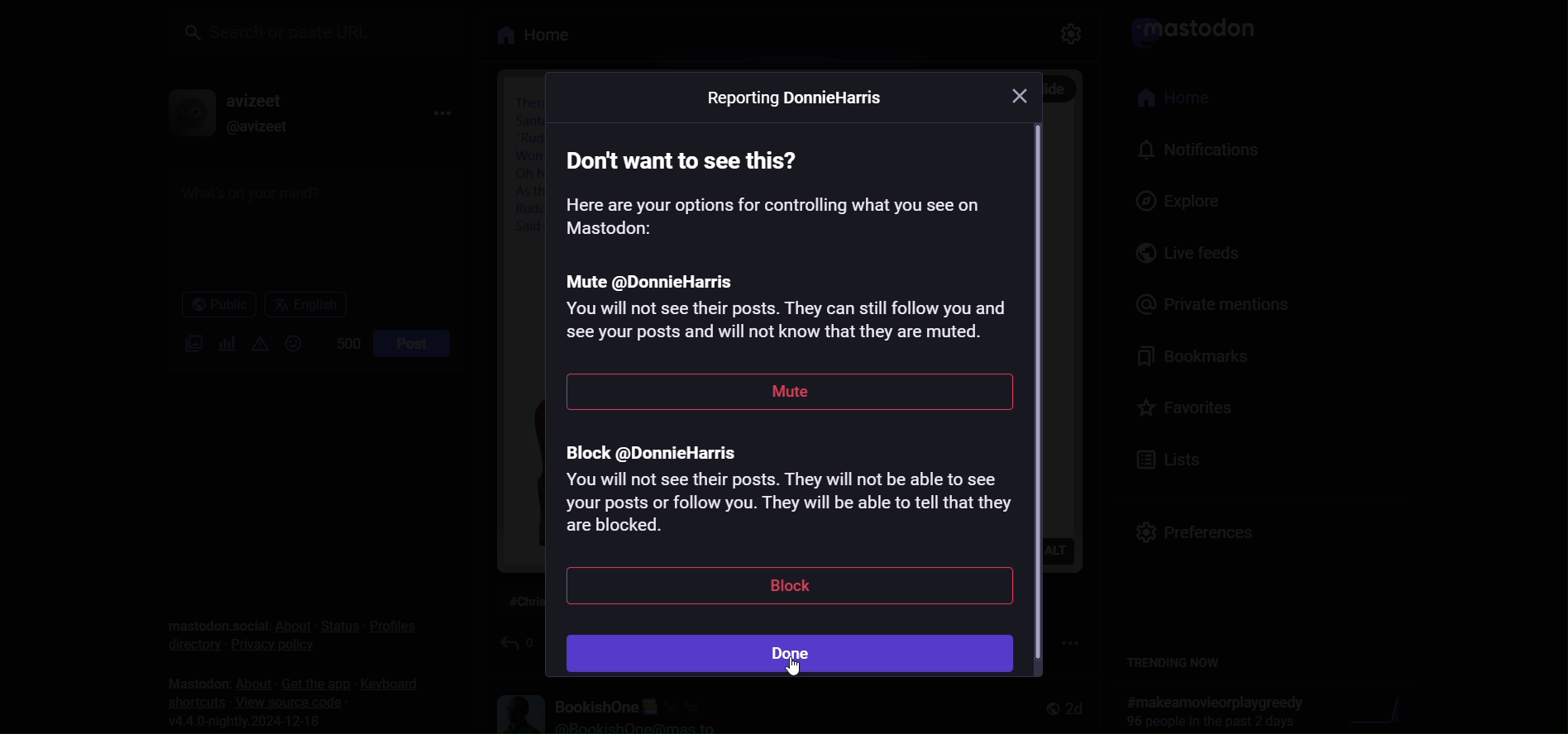 This screenshot has height=734, width=1568. I want to click on What's on your mind?, so click(308, 227).